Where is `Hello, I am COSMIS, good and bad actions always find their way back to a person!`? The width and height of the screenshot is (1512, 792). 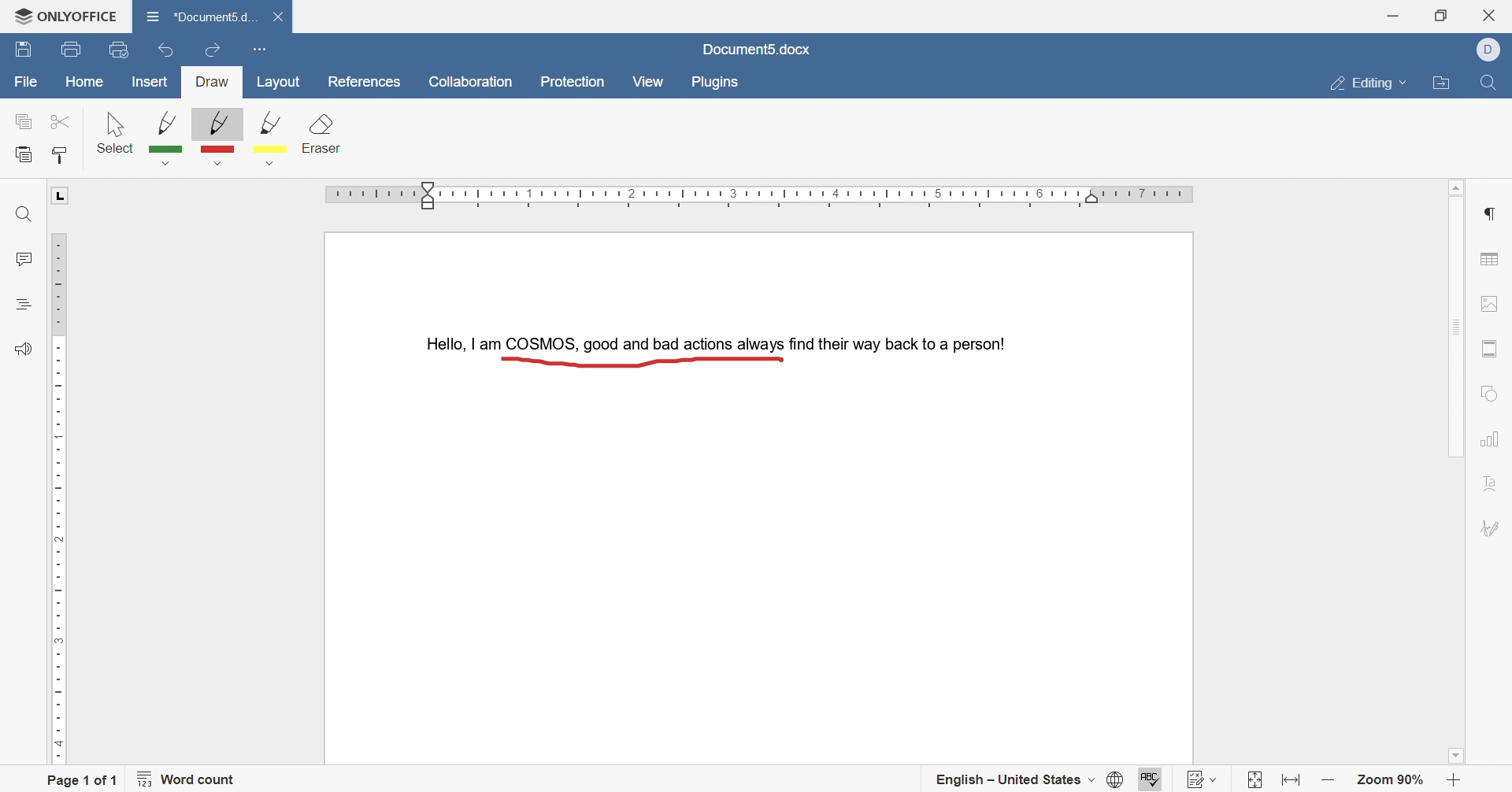 Hello, I am COSMIS, good and bad actions always find their way back to a person! is located at coordinates (712, 341).